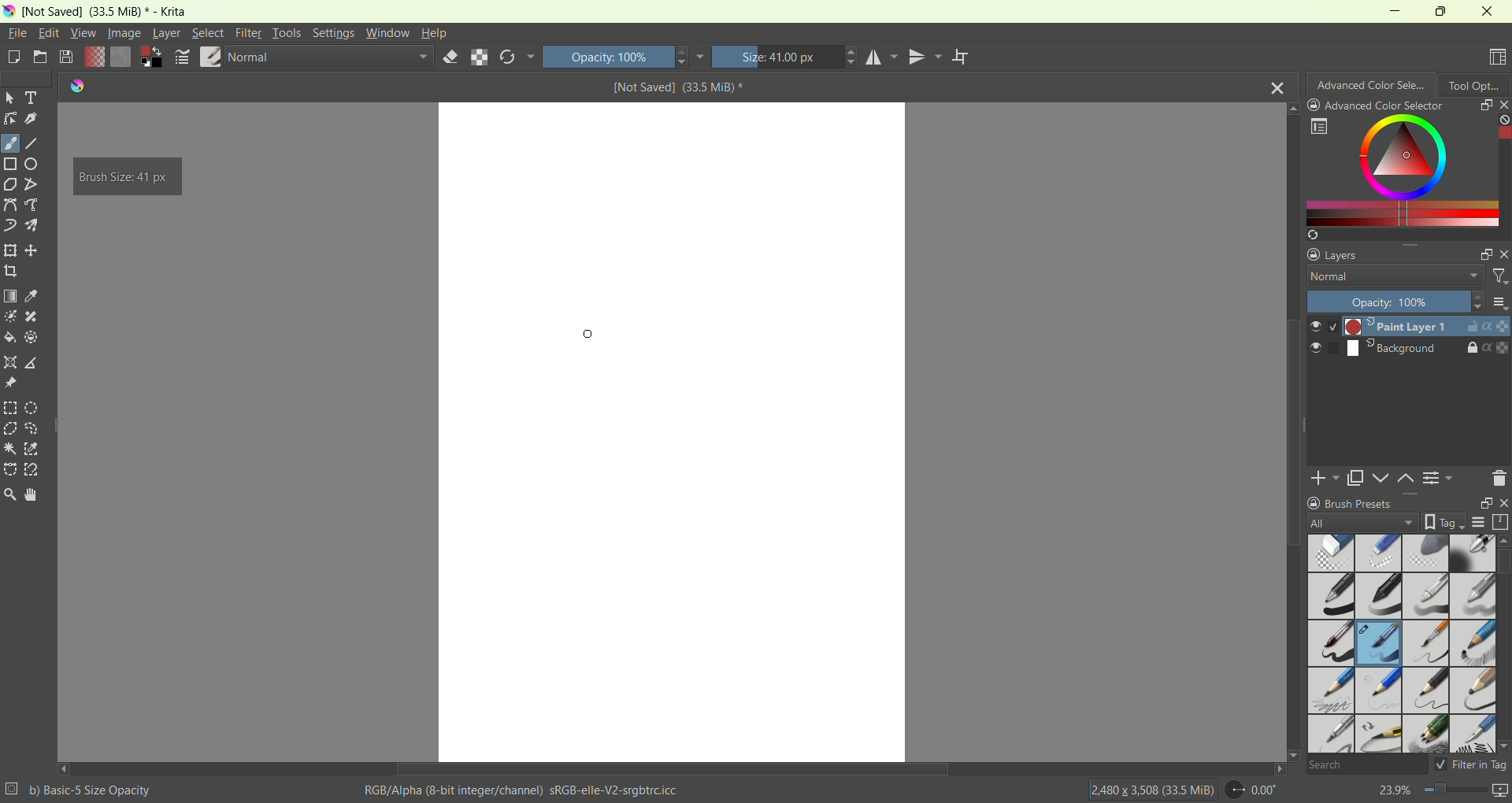 Image resolution: width=1512 pixels, height=803 pixels. What do you see at coordinates (9, 338) in the screenshot?
I see `fill a contiguous area` at bounding box center [9, 338].